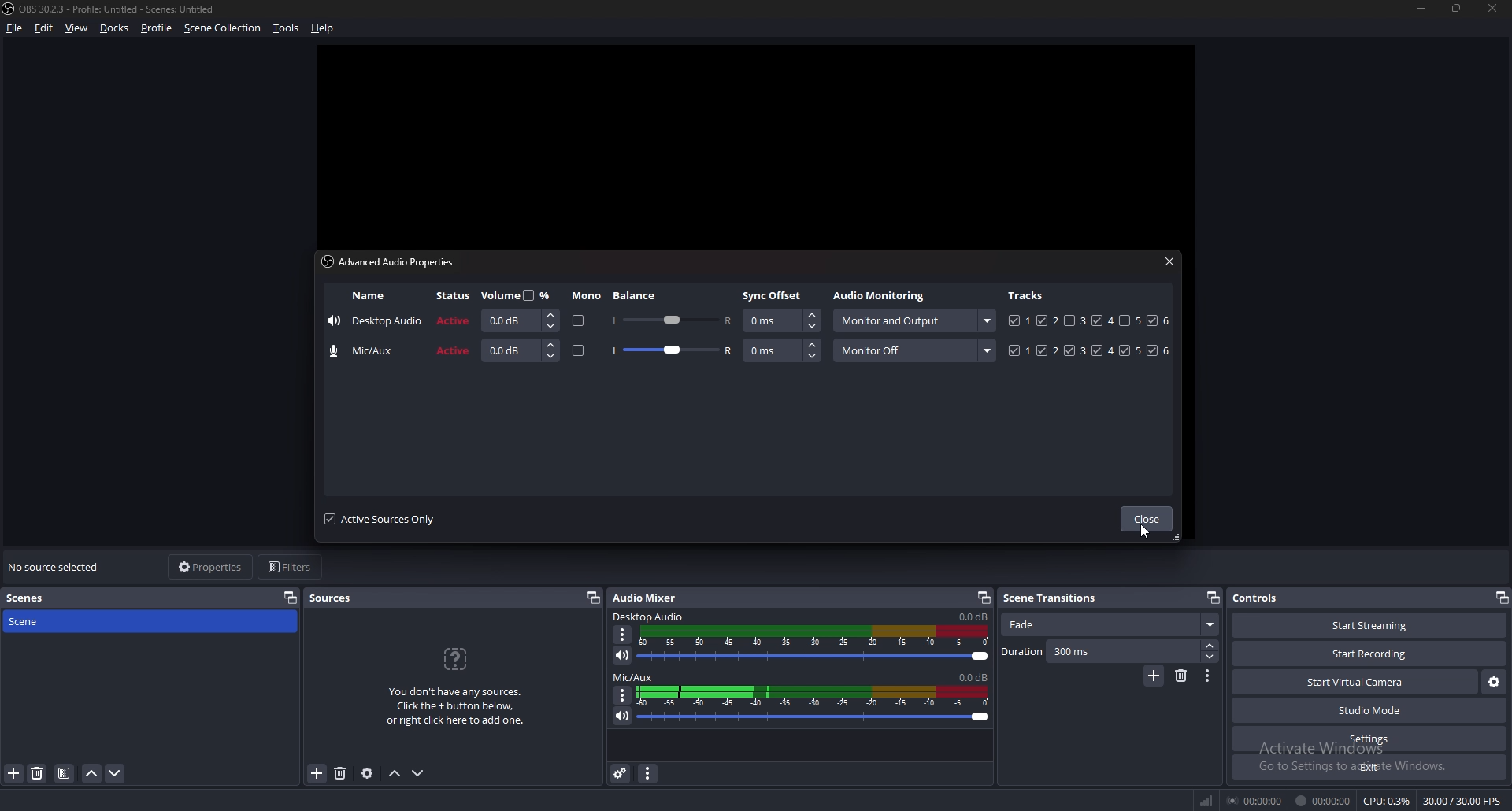 The image size is (1512, 811). I want to click on audio monitoring, so click(882, 297).